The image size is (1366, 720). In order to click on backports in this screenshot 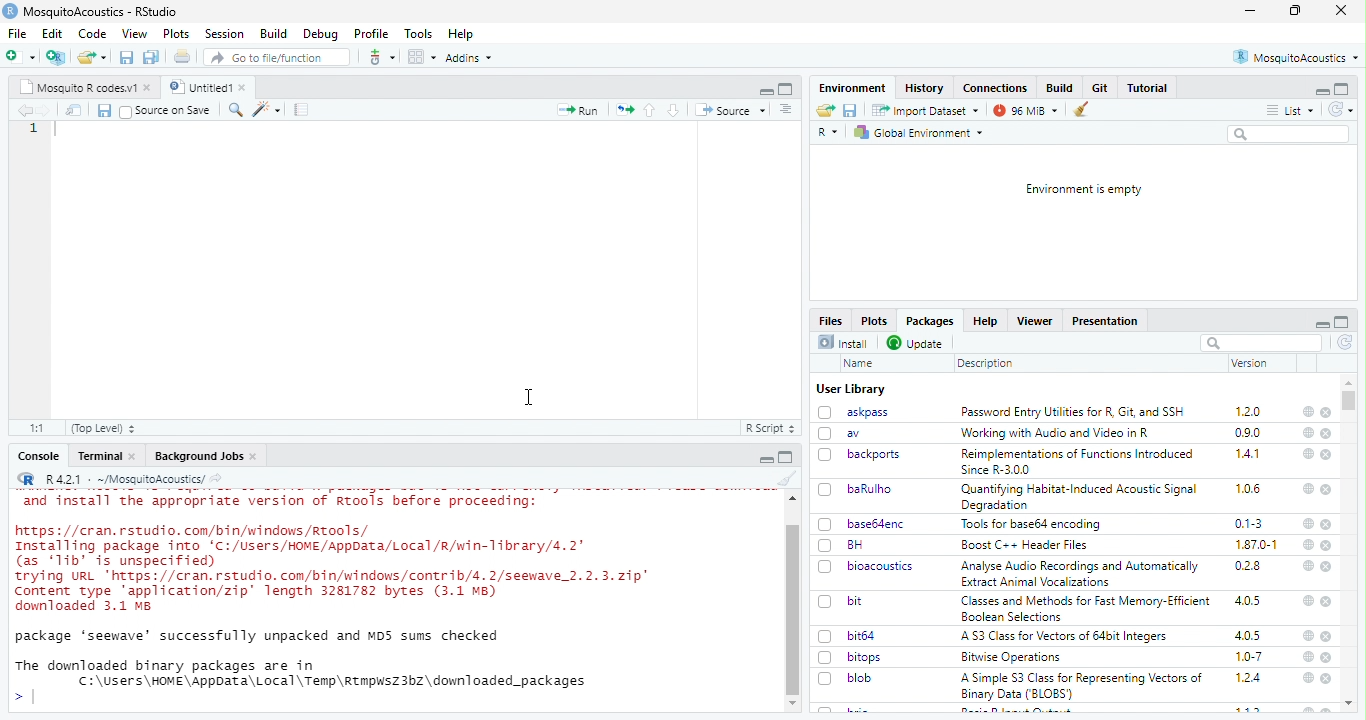, I will do `click(874, 455)`.